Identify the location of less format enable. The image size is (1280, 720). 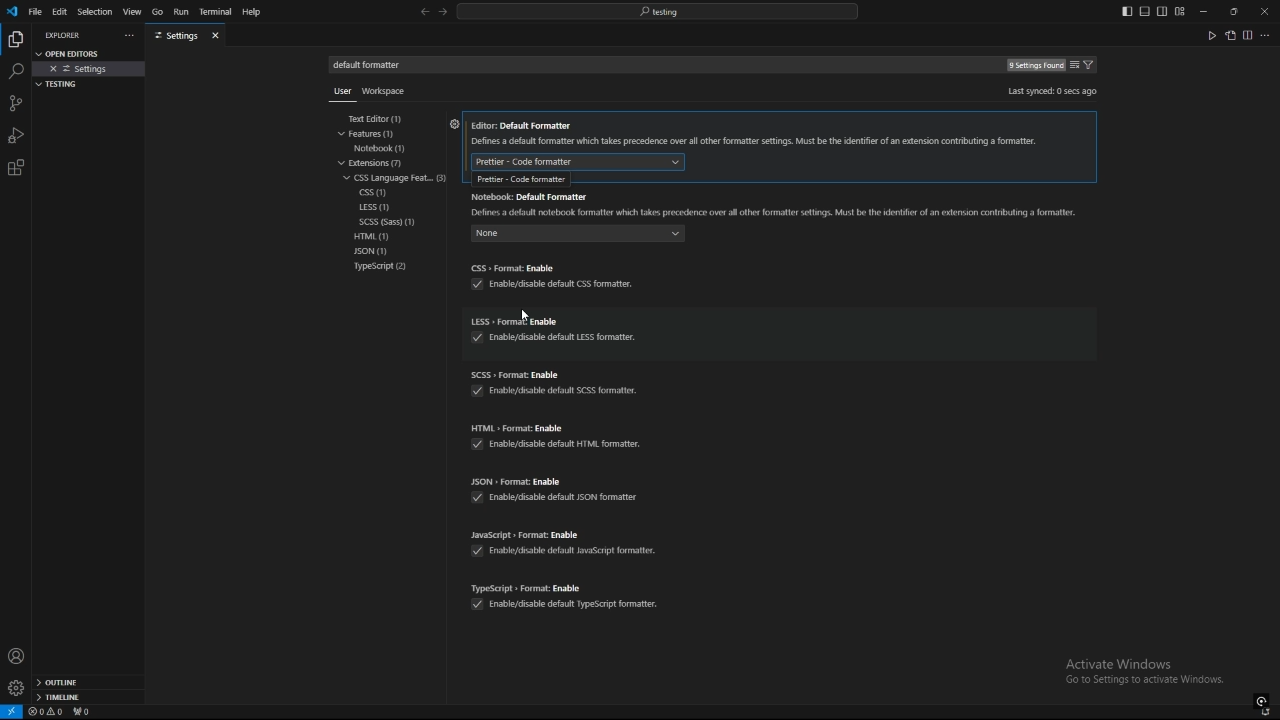
(556, 321).